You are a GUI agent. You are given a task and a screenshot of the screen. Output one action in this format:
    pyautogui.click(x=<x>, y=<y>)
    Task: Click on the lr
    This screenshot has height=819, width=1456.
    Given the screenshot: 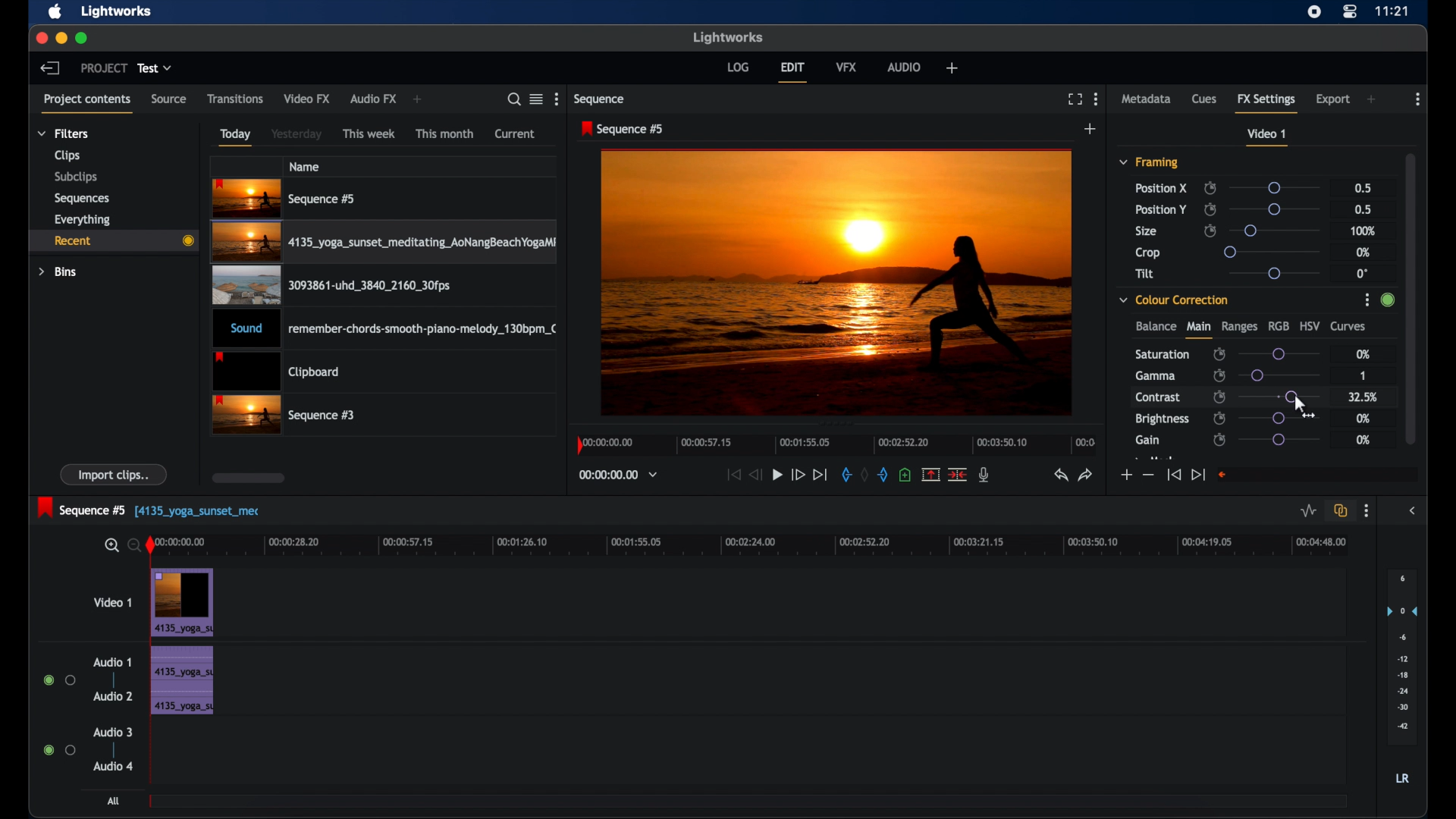 What is the action you would take?
    pyautogui.click(x=1402, y=778)
    